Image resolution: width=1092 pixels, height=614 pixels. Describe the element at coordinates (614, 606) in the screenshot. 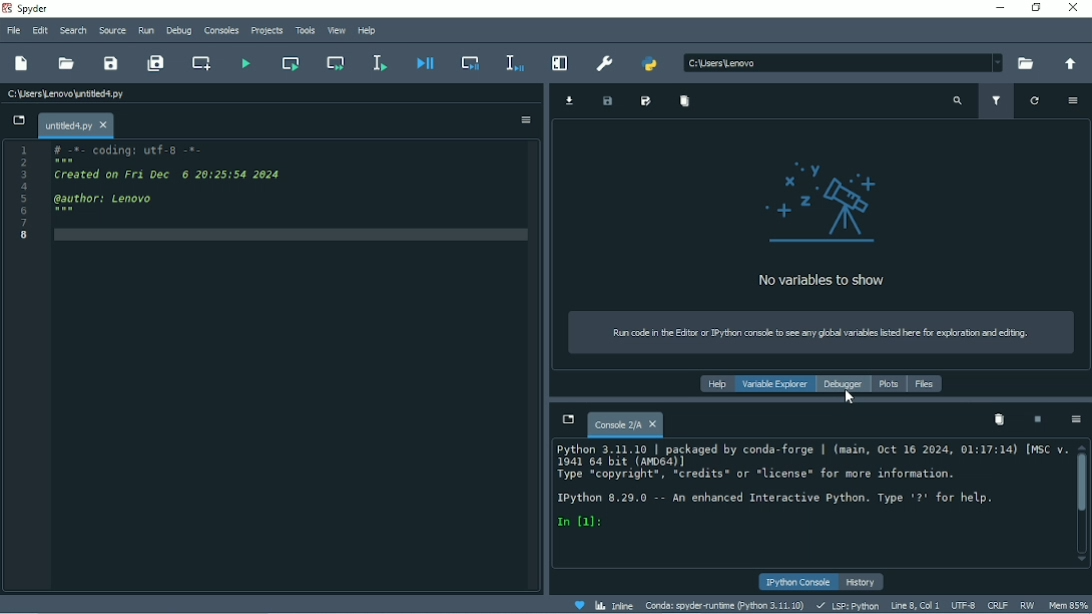

I see `Inline` at that location.